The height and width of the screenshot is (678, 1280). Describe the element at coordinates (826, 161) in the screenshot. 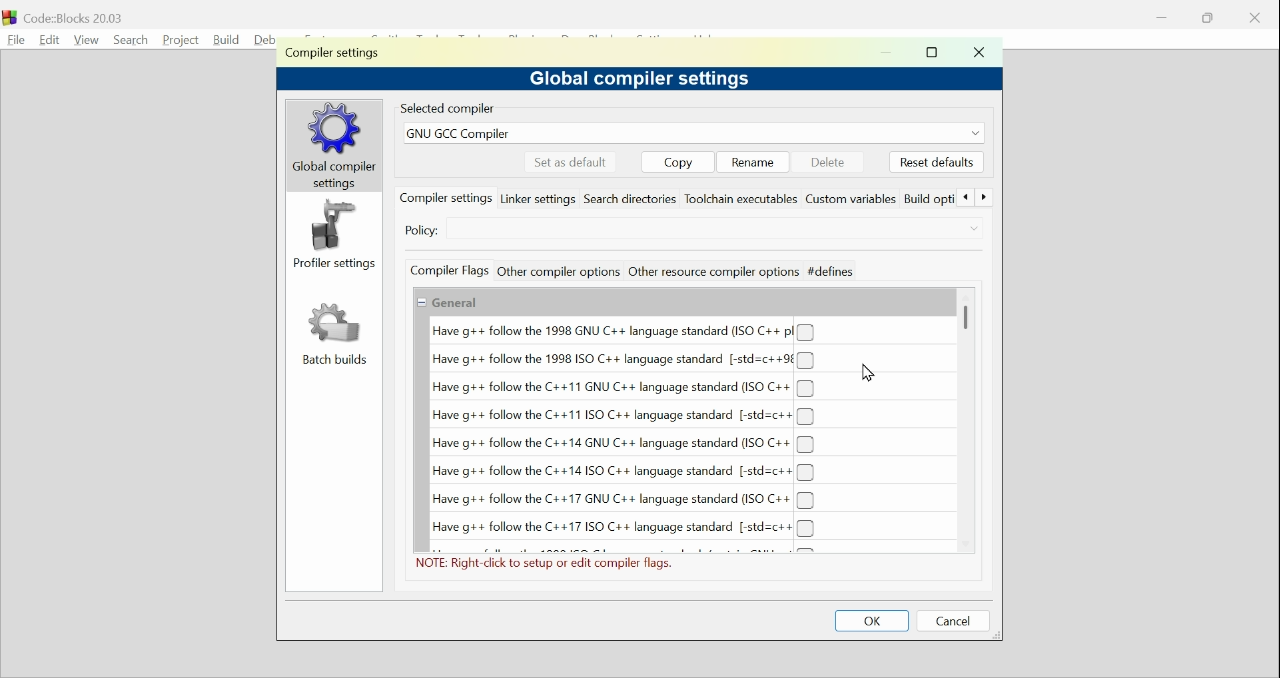

I see `delete` at that location.